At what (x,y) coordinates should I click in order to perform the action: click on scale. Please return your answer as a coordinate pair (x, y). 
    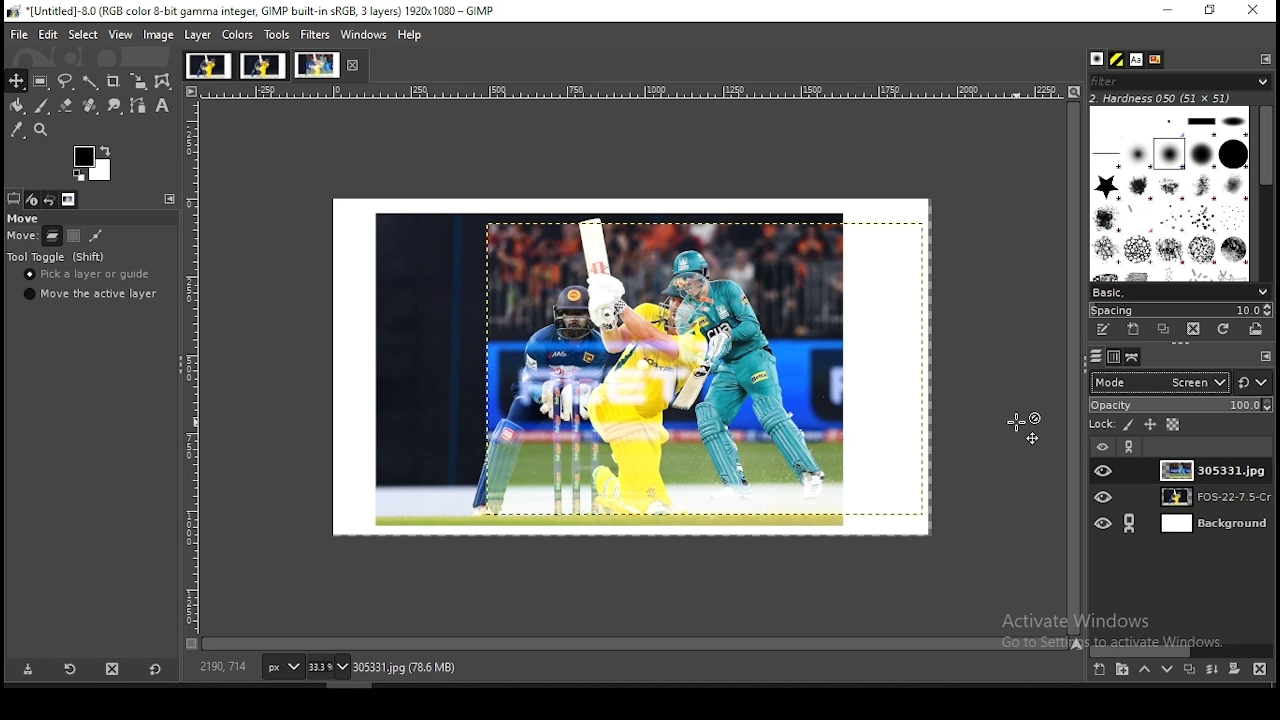
    Looking at the image, I should click on (642, 90).